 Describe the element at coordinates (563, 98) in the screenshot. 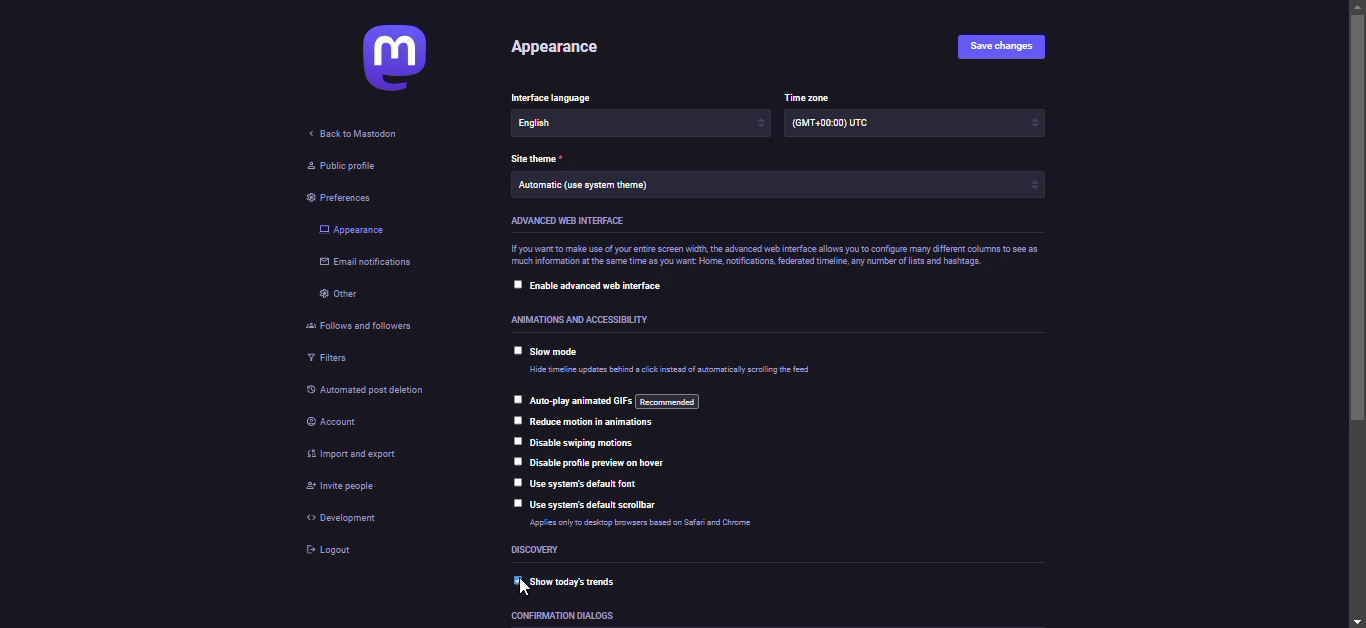

I see `language` at that location.